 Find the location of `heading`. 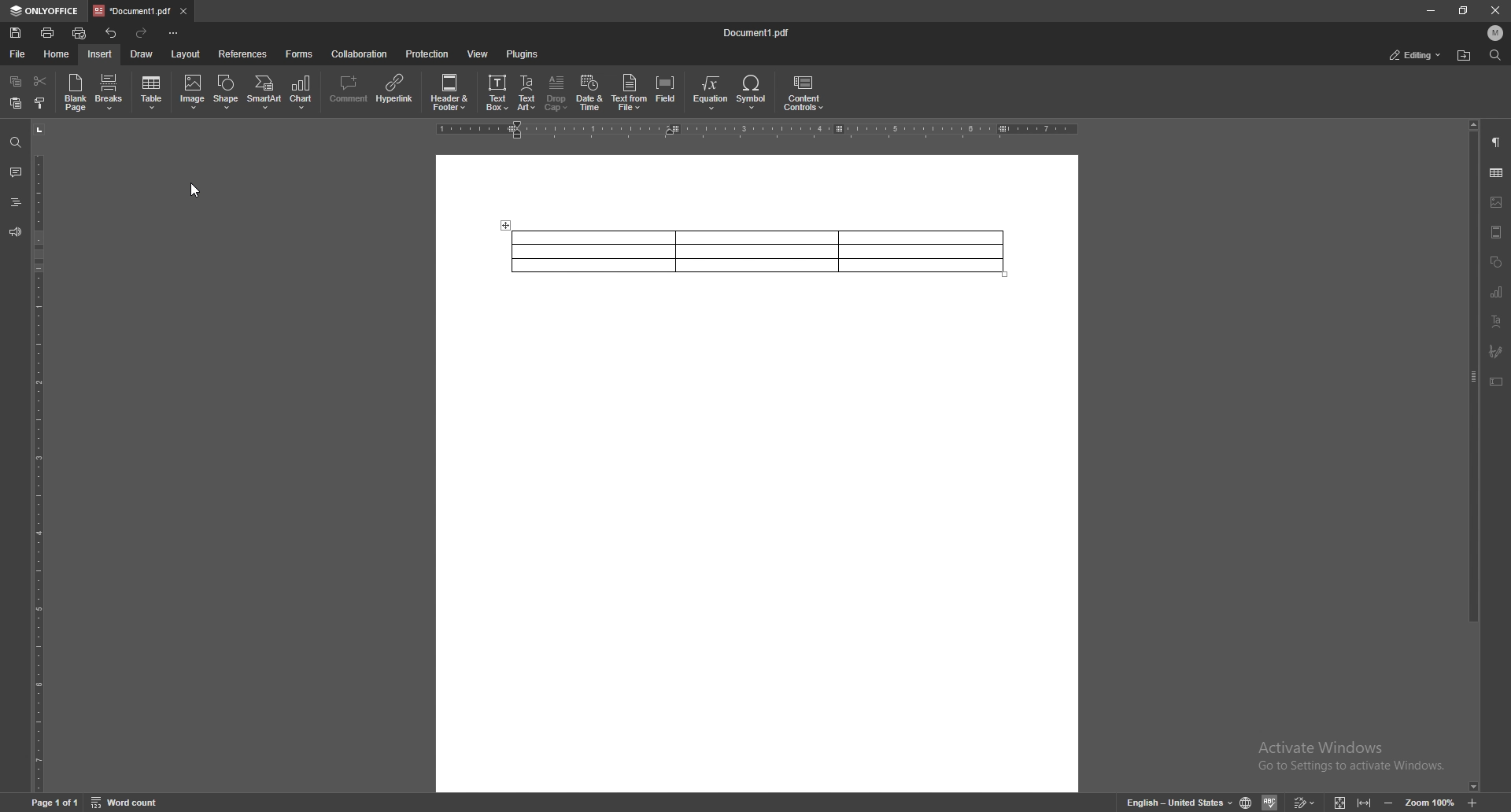

heading is located at coordinates (15, 202).